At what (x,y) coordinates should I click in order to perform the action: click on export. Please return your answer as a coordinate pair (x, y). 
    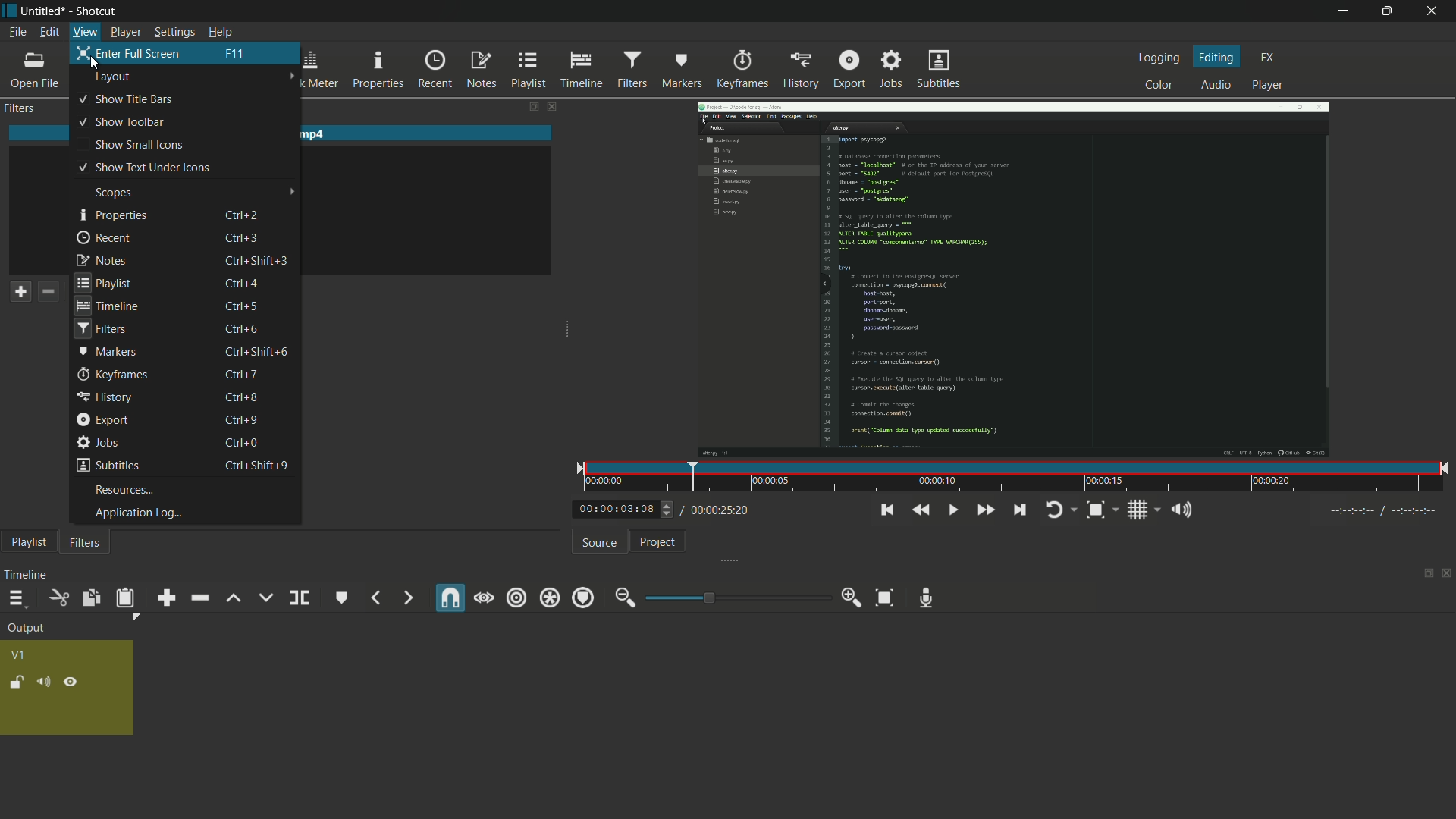
    Looking at the image, I should click on (847, 70).